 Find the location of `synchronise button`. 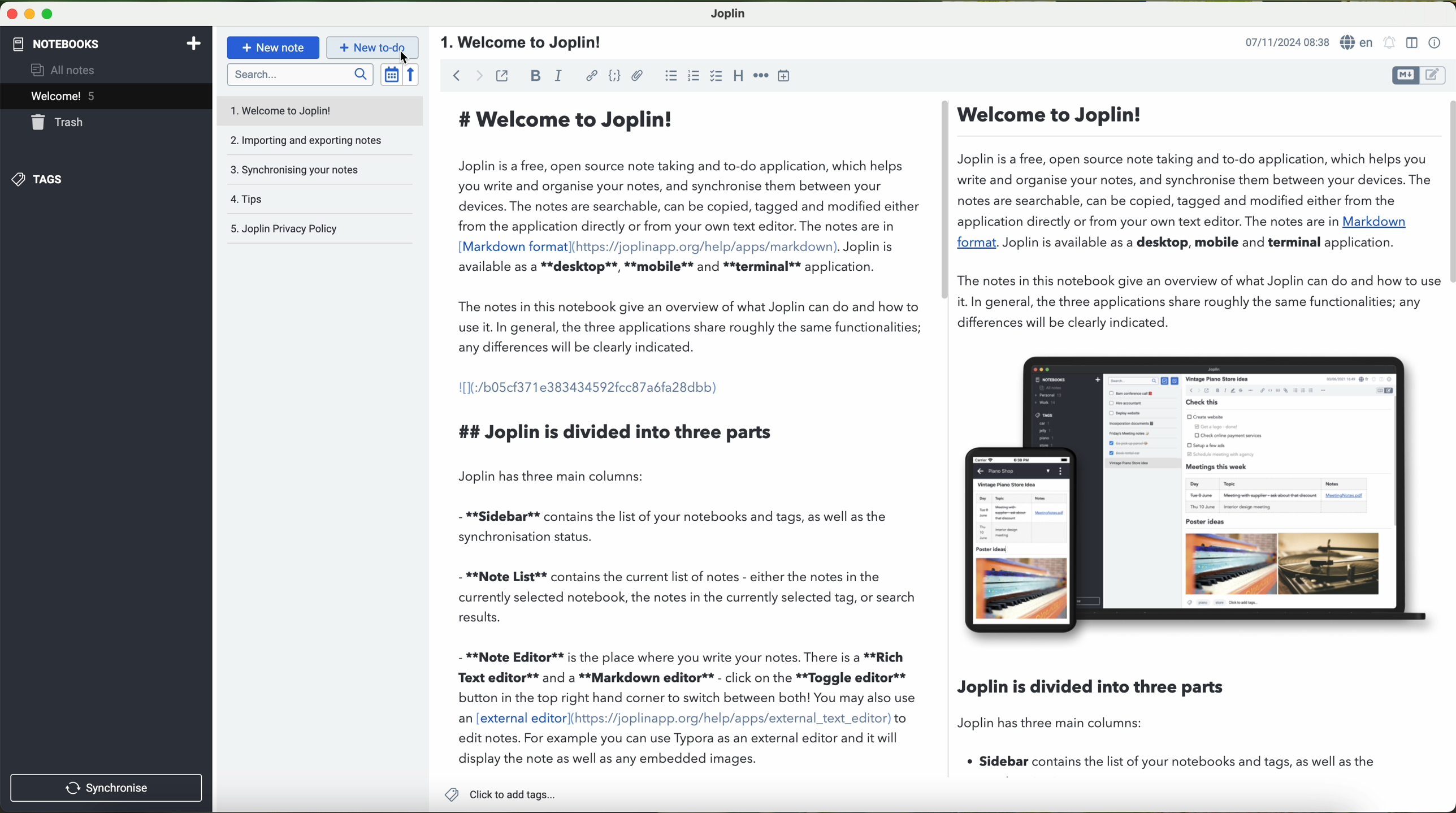

synchronise button is located at coordinates (106, 788).